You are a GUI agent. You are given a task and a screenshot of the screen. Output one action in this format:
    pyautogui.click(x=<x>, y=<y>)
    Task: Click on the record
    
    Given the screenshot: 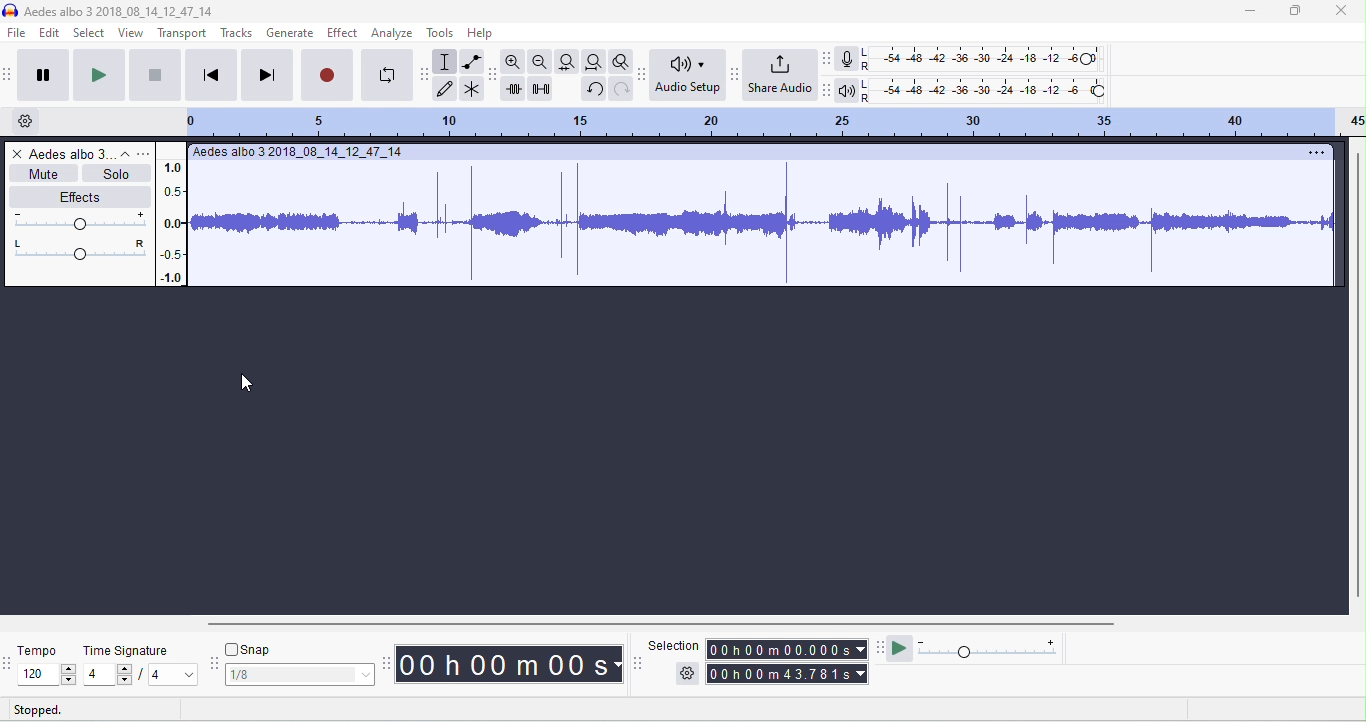 What is the action you would take?
    pyautogui.click(x=327, y=74)
    